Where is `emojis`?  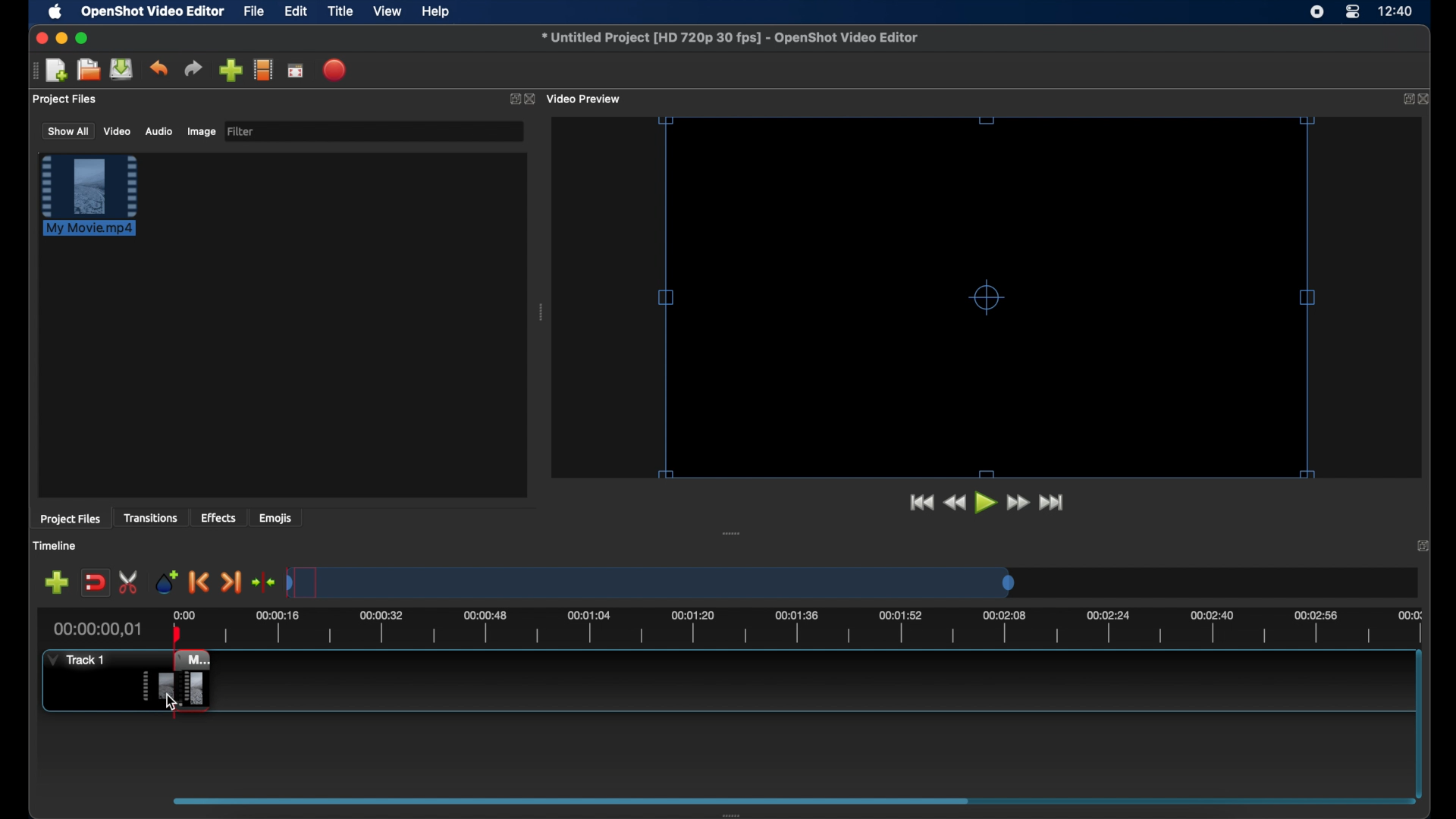 emojis is located at coordinates (277, 519).